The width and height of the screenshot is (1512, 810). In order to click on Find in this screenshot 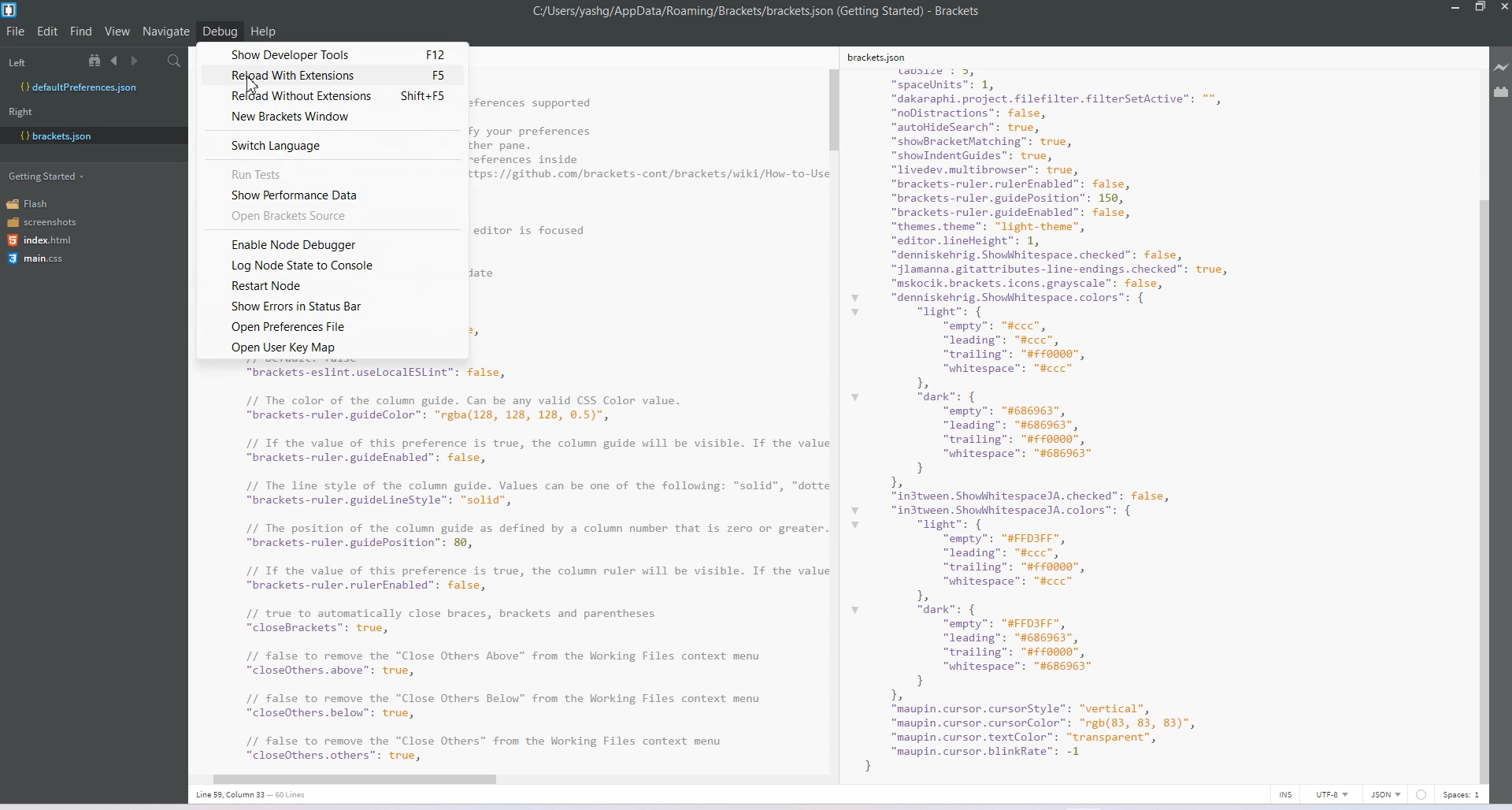, I will do `click(82, 31)`.